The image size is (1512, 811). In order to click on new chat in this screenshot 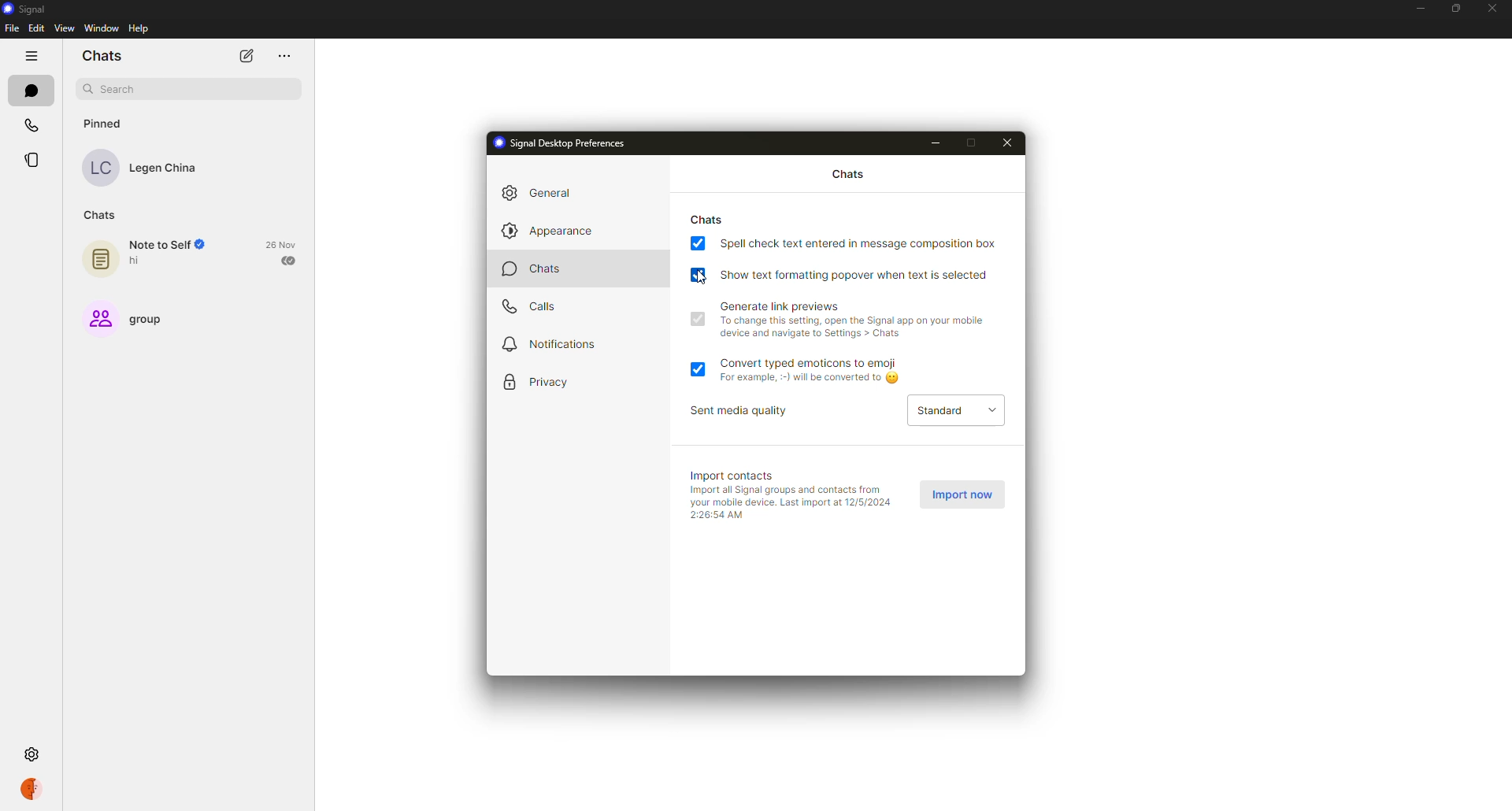, I will do `click(246, 57)`.